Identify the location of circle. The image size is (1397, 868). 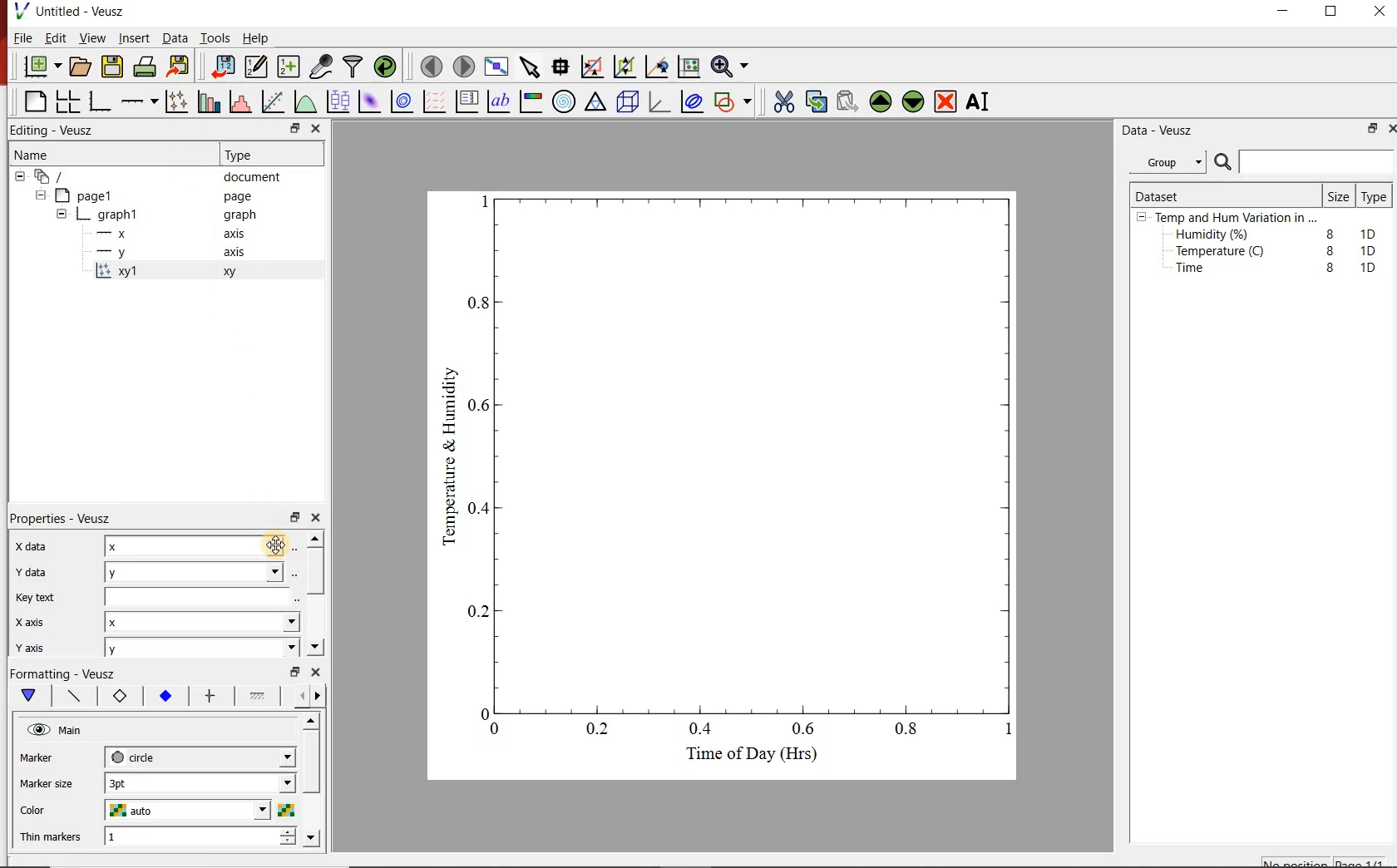
(136, 757).